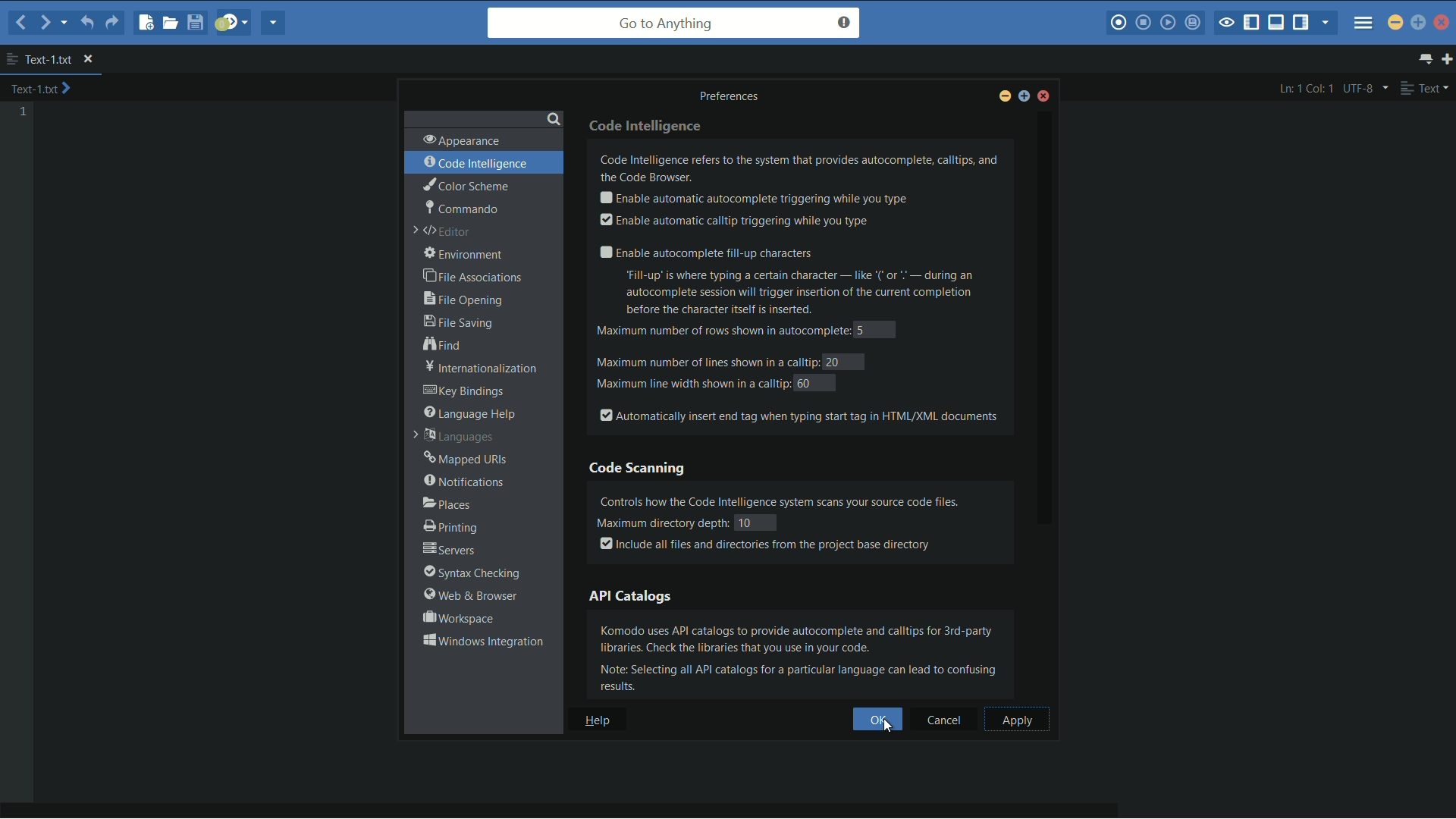 Image resolution: width=1456 pixels, height=819 pixels. I want to click on maximize, so click(1023, 99).